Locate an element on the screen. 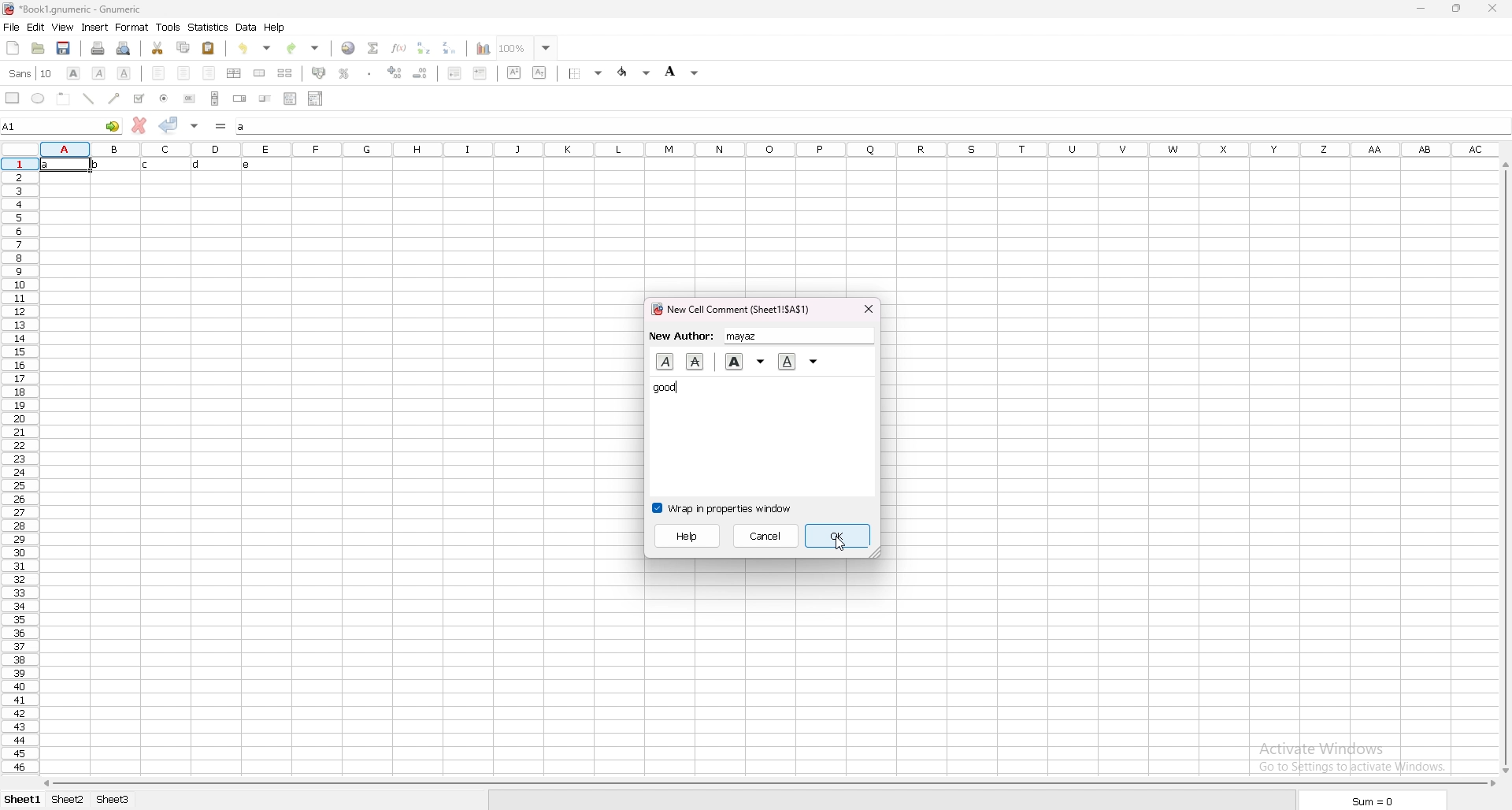  accept change in multiple cell is located at coordinates (195, 126).